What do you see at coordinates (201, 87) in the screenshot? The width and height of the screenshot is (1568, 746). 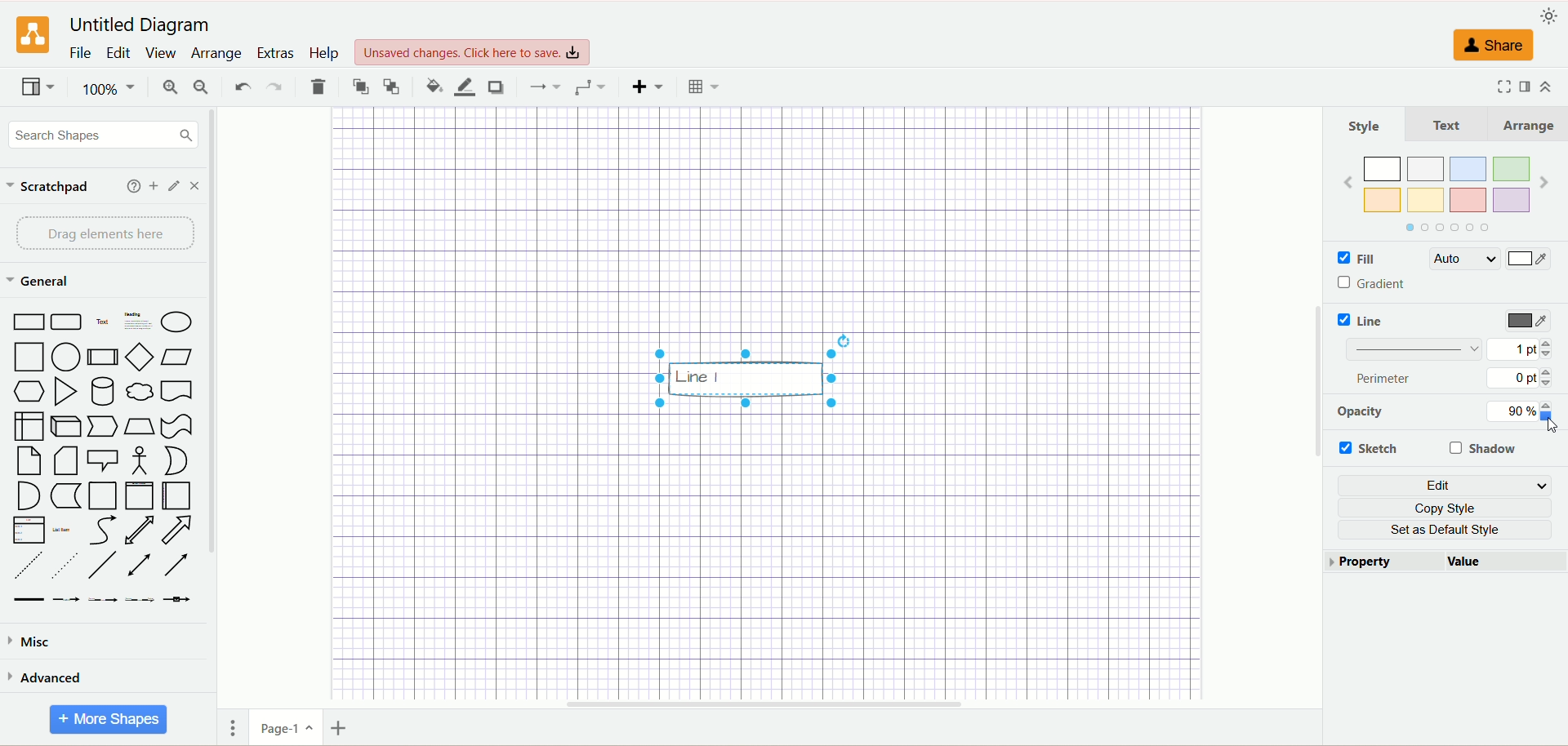 I see `zoom out` at bounding box center [201, 87].